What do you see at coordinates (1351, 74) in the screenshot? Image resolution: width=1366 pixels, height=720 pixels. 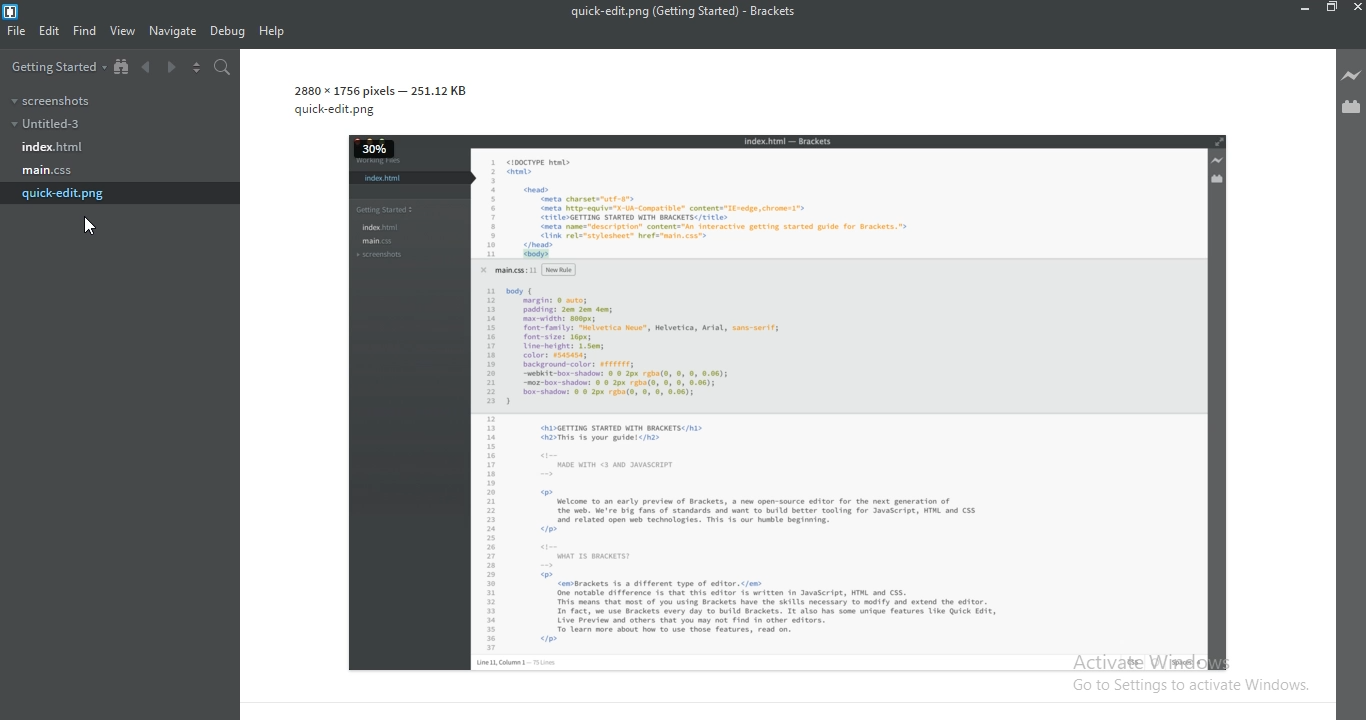 I see `livepreview` at bounding box center [1351, 74].